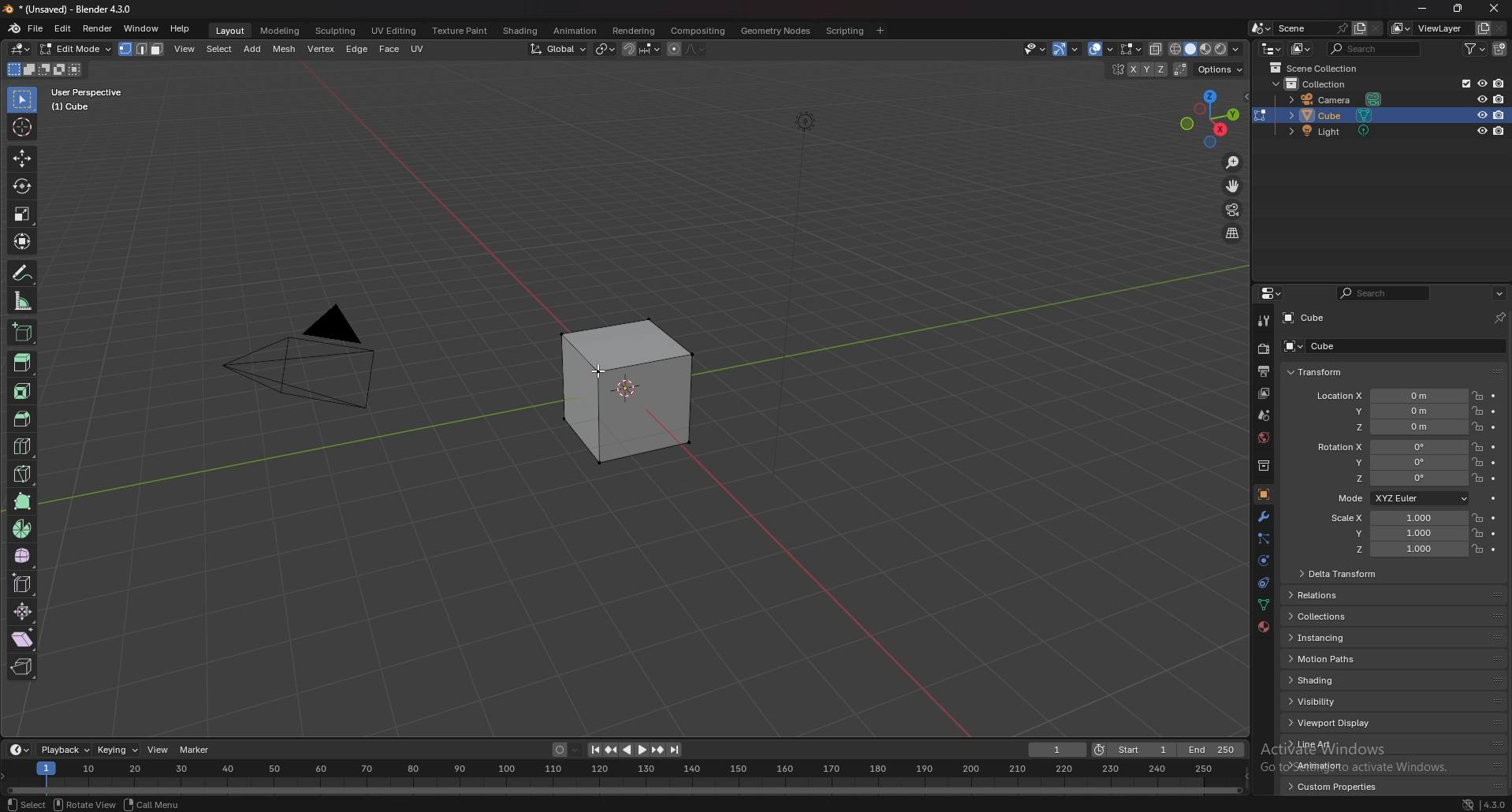 This screenshot has width=1512, height=812. Describe the element at coordinates (1272, 49) in the screenshot. I see `editor type` at that location.